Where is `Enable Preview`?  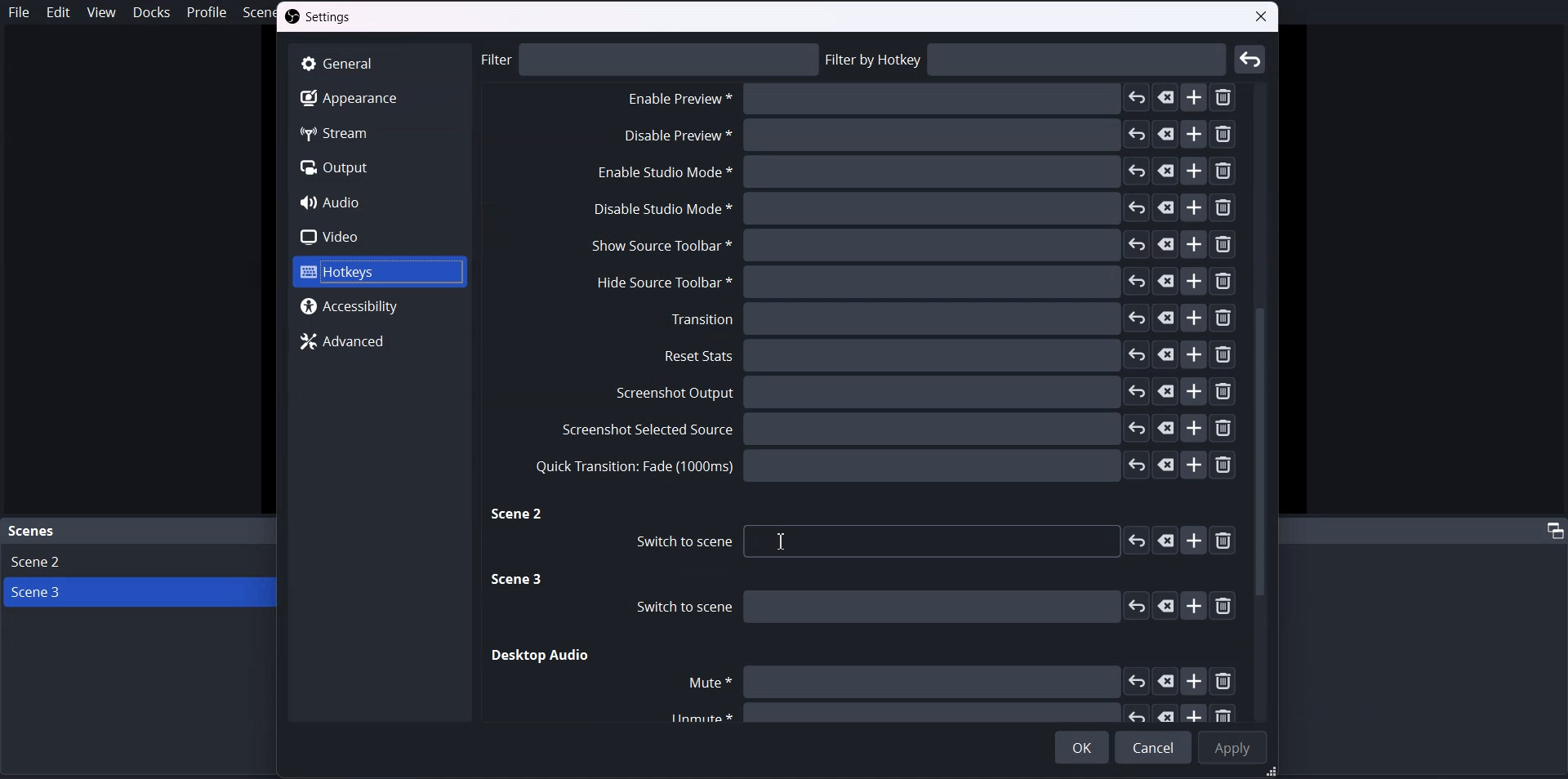
Enable Preview is located at coordinates (924, 140).